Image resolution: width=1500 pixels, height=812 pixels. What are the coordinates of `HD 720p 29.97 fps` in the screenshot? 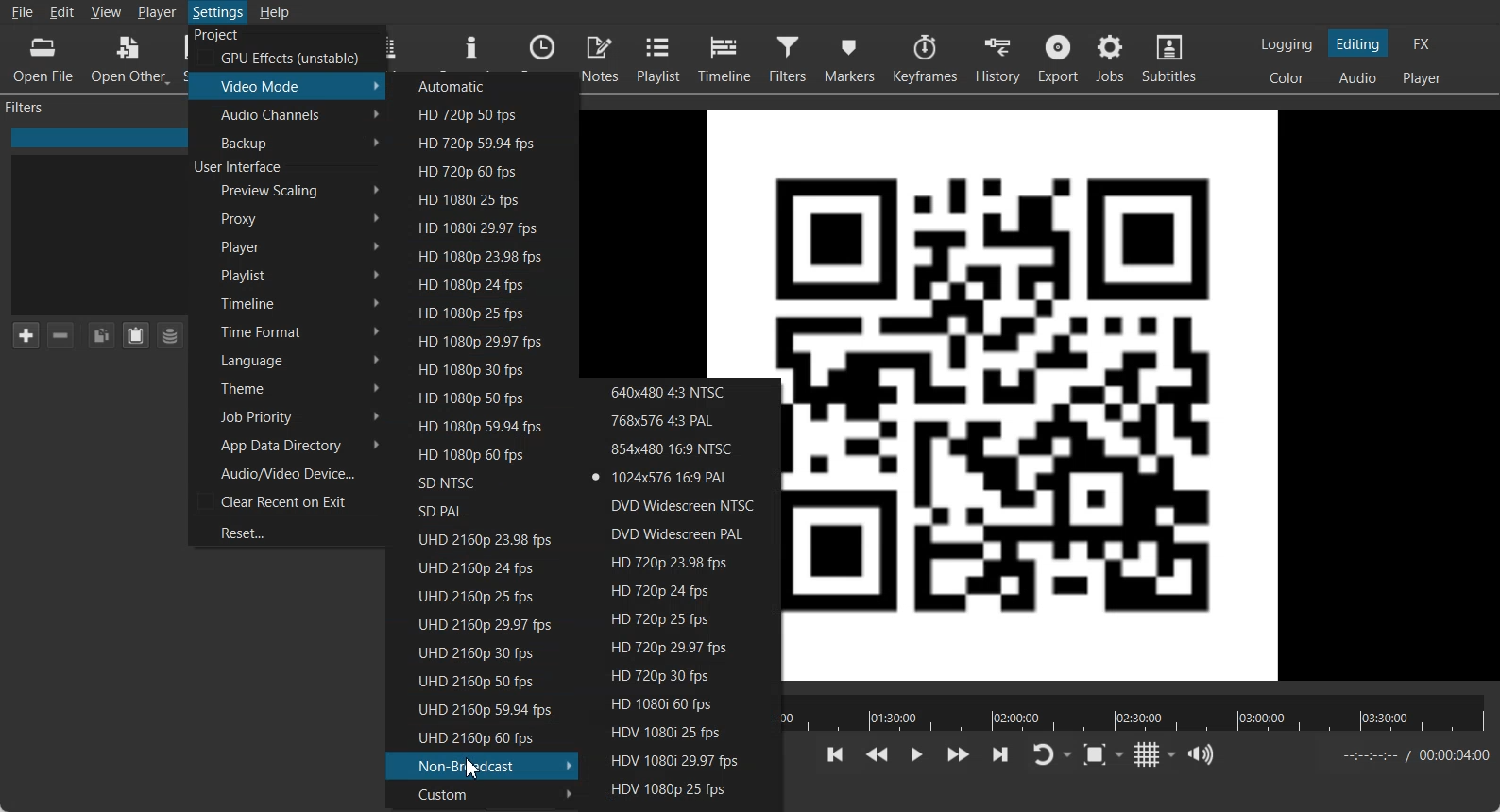 It's located at (683, 648).